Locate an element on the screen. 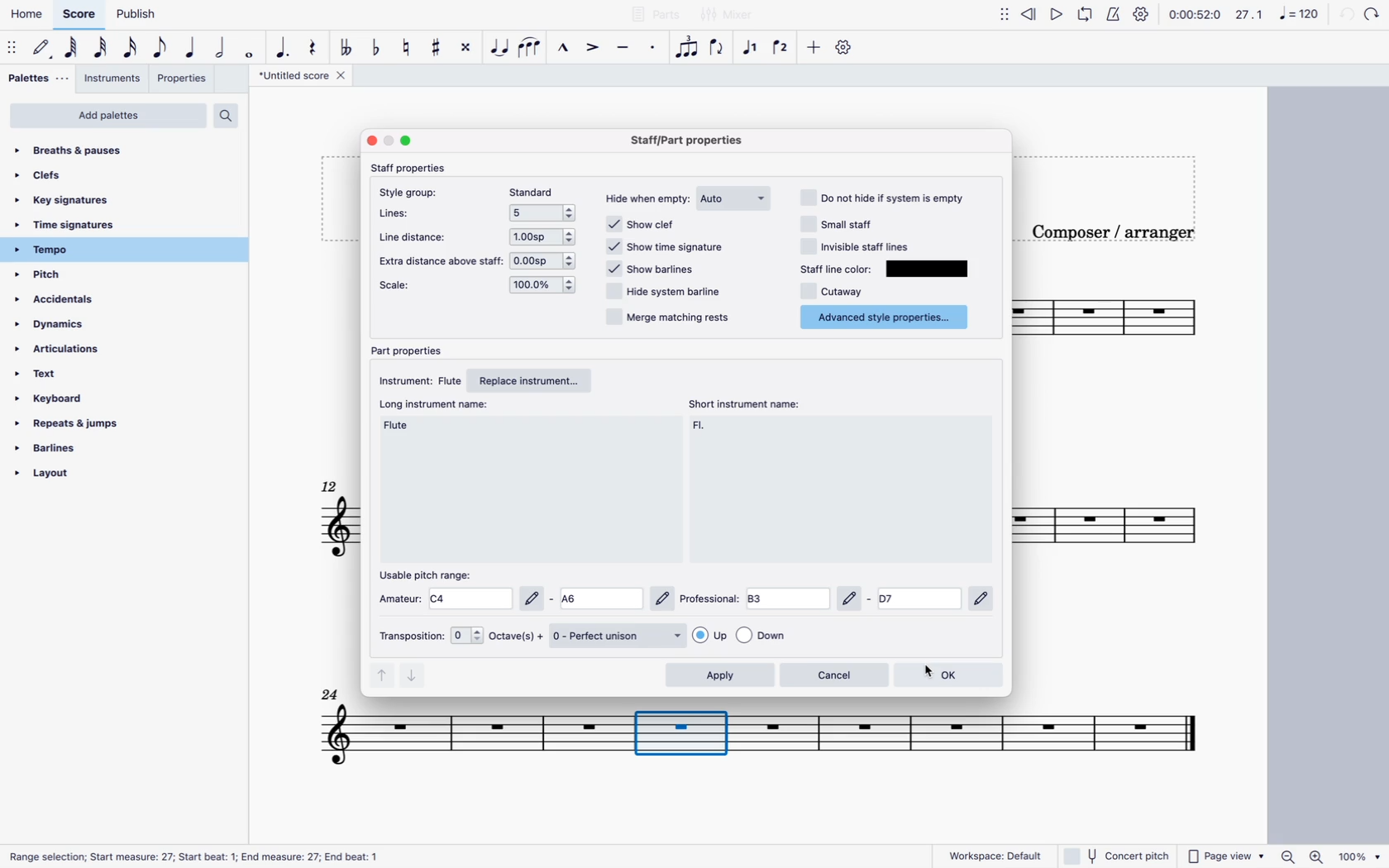 The image size is (1389, 868). back is located at coordinates (1345, 15).